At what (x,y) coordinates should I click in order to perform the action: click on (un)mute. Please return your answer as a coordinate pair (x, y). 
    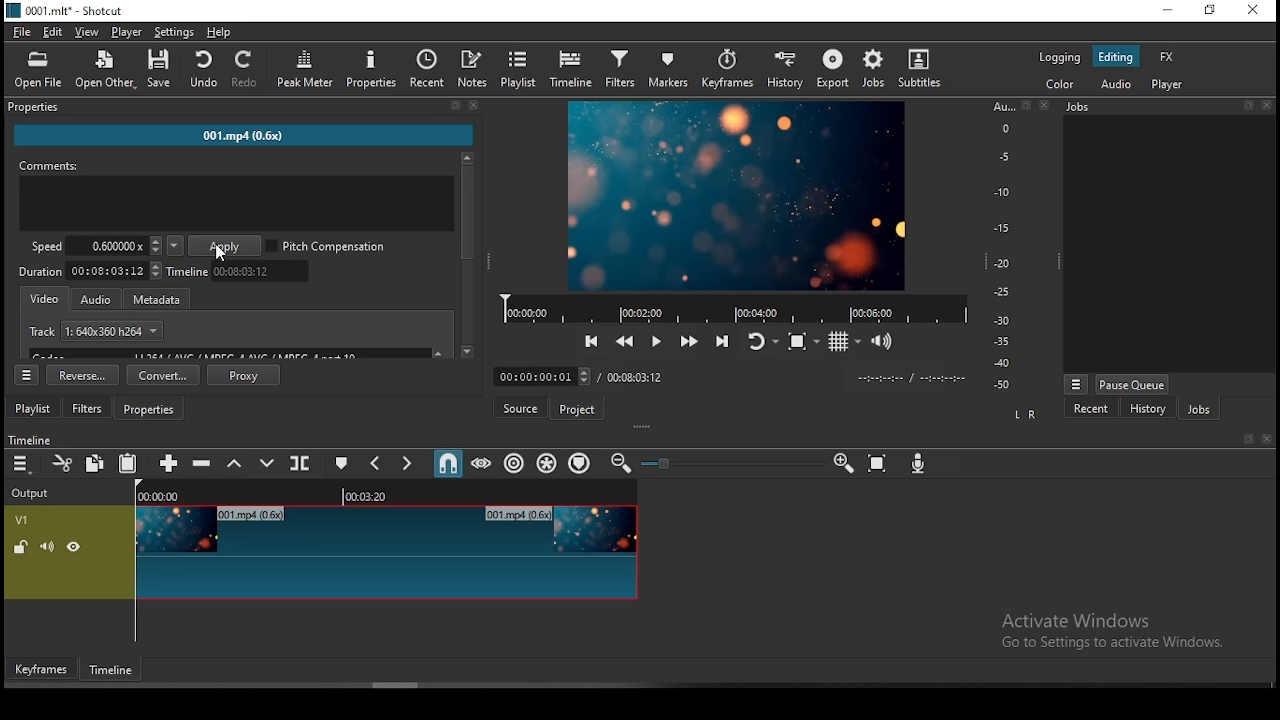
    Looking at the image, I should click on (53, 548).